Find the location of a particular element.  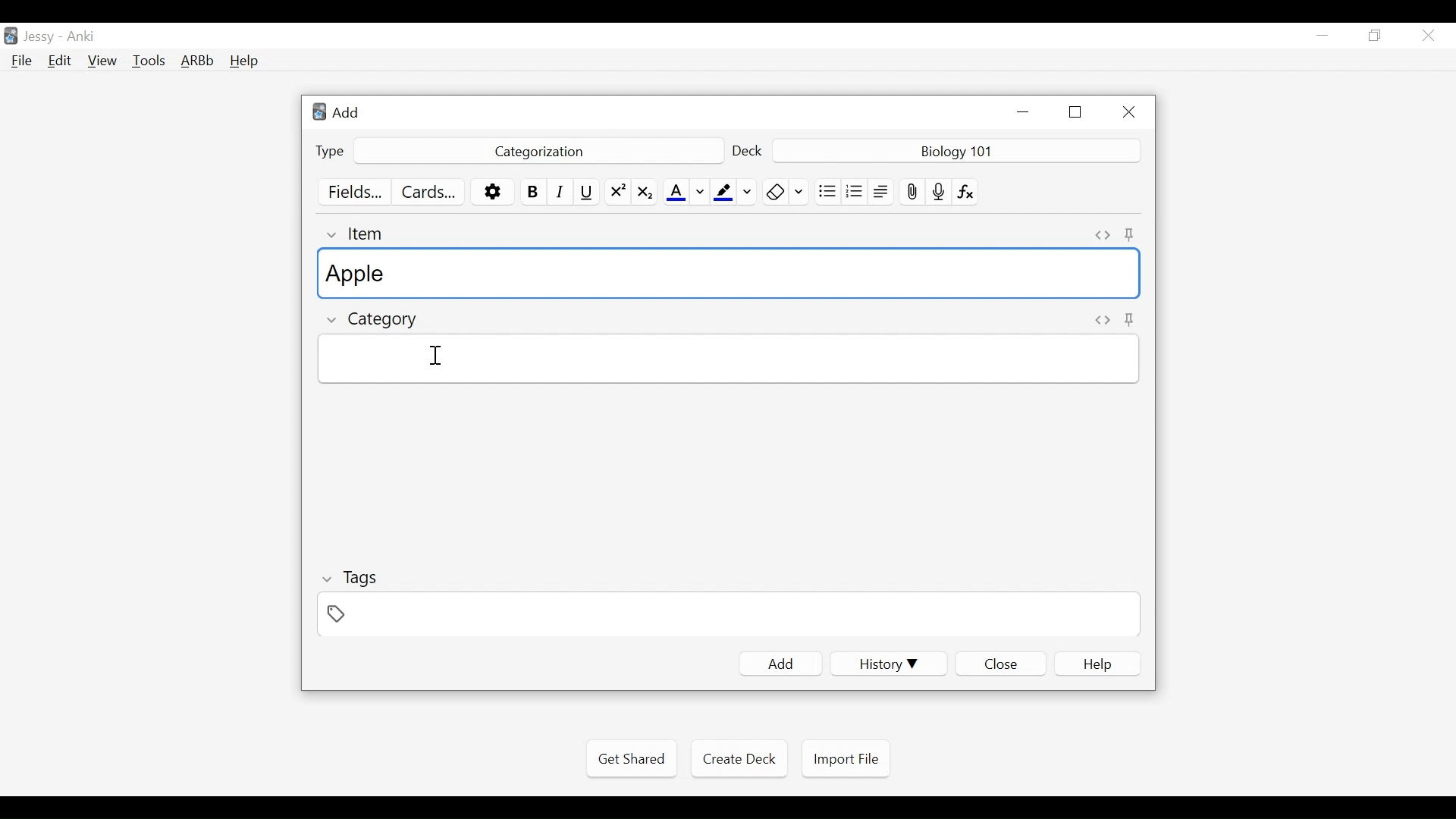

Remove Formatting is located at coordinates (786, 192).